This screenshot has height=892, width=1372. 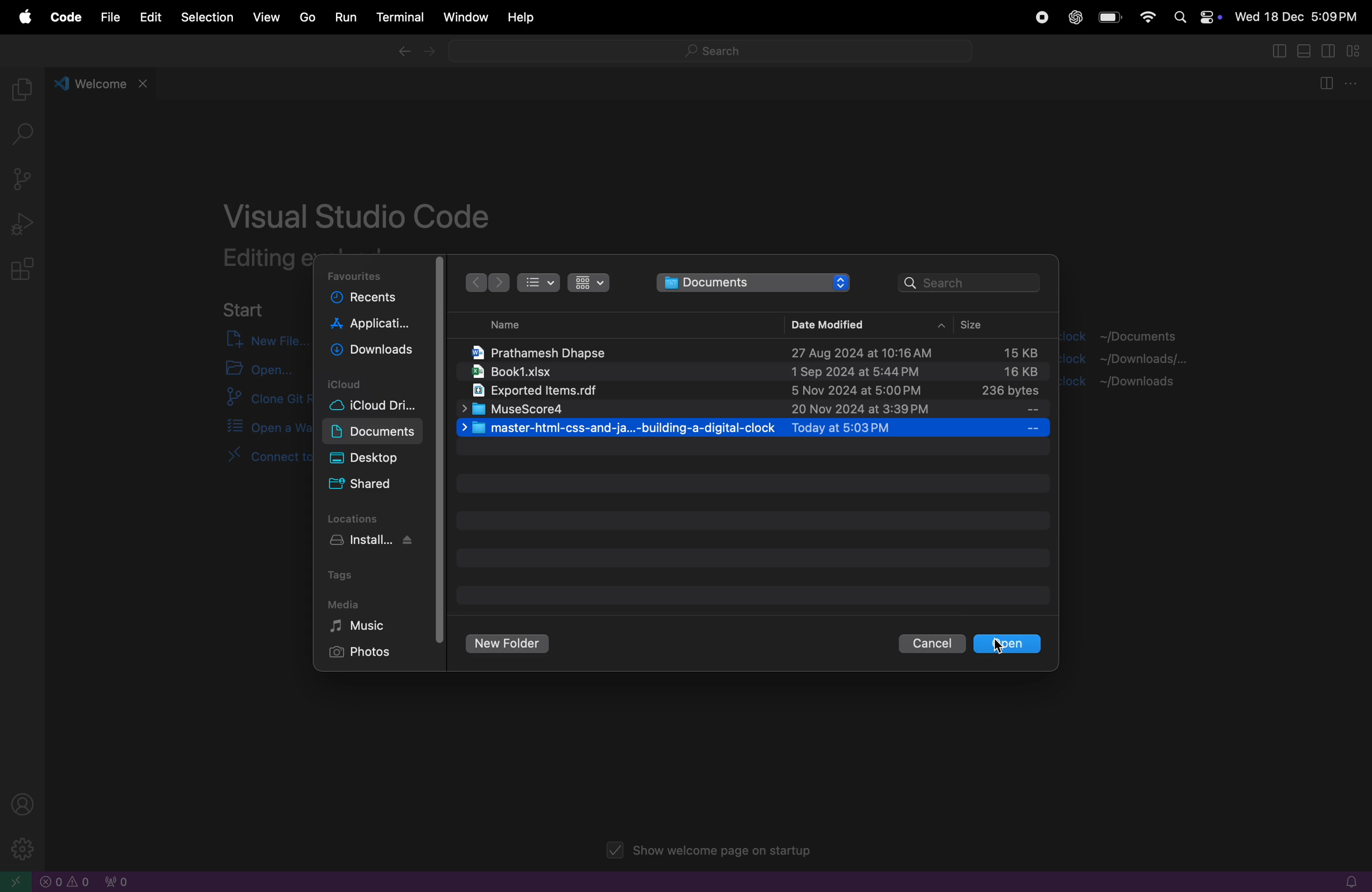 I want to click on open input elements, so click(x=255, y=369).